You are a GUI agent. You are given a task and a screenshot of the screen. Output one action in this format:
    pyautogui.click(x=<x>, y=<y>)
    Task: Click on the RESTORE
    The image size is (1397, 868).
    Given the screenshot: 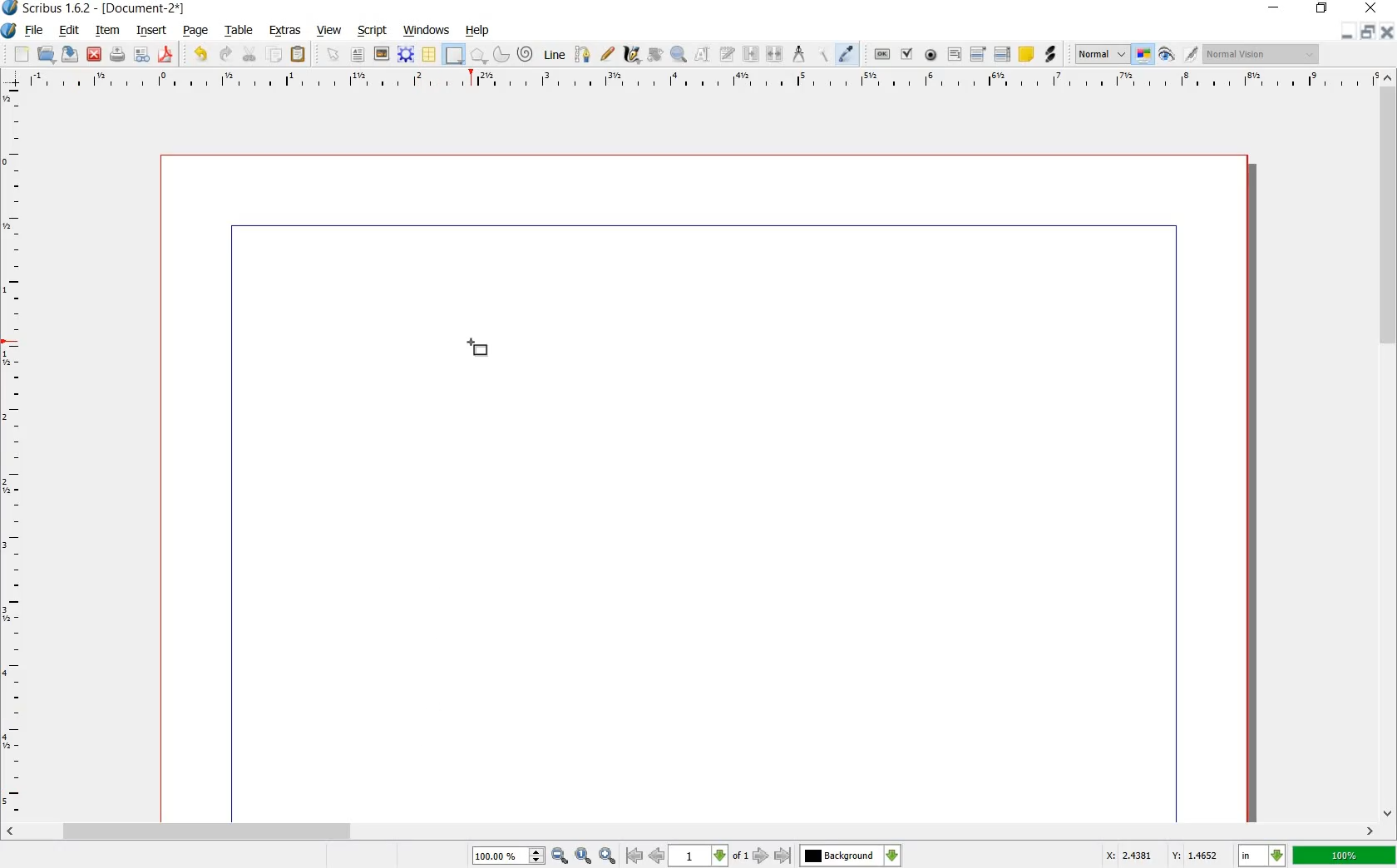 What is the action you would take?
    pyautogui.click(x=1370, y=32)
    